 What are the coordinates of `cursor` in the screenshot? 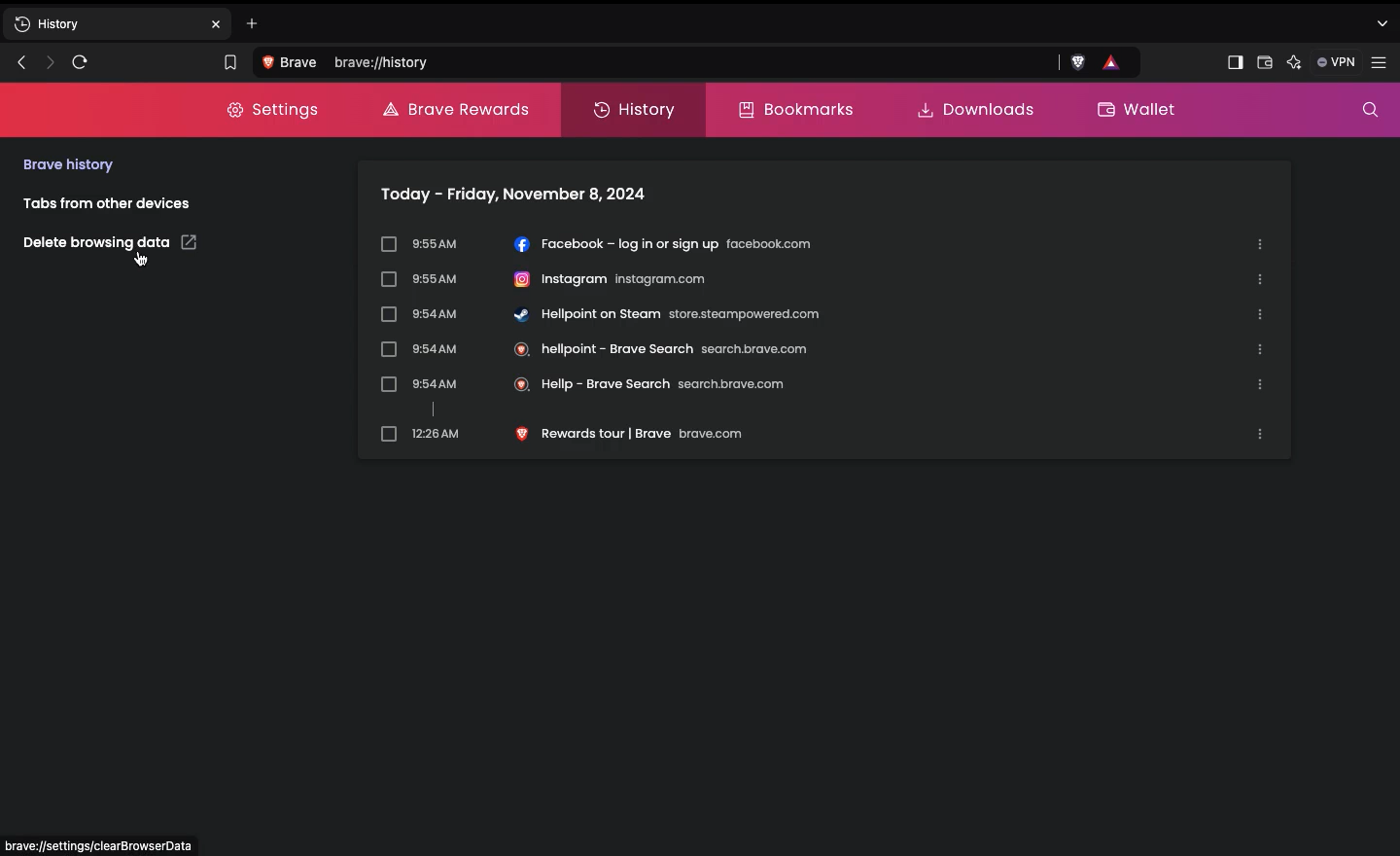 It's located at (140, 261).